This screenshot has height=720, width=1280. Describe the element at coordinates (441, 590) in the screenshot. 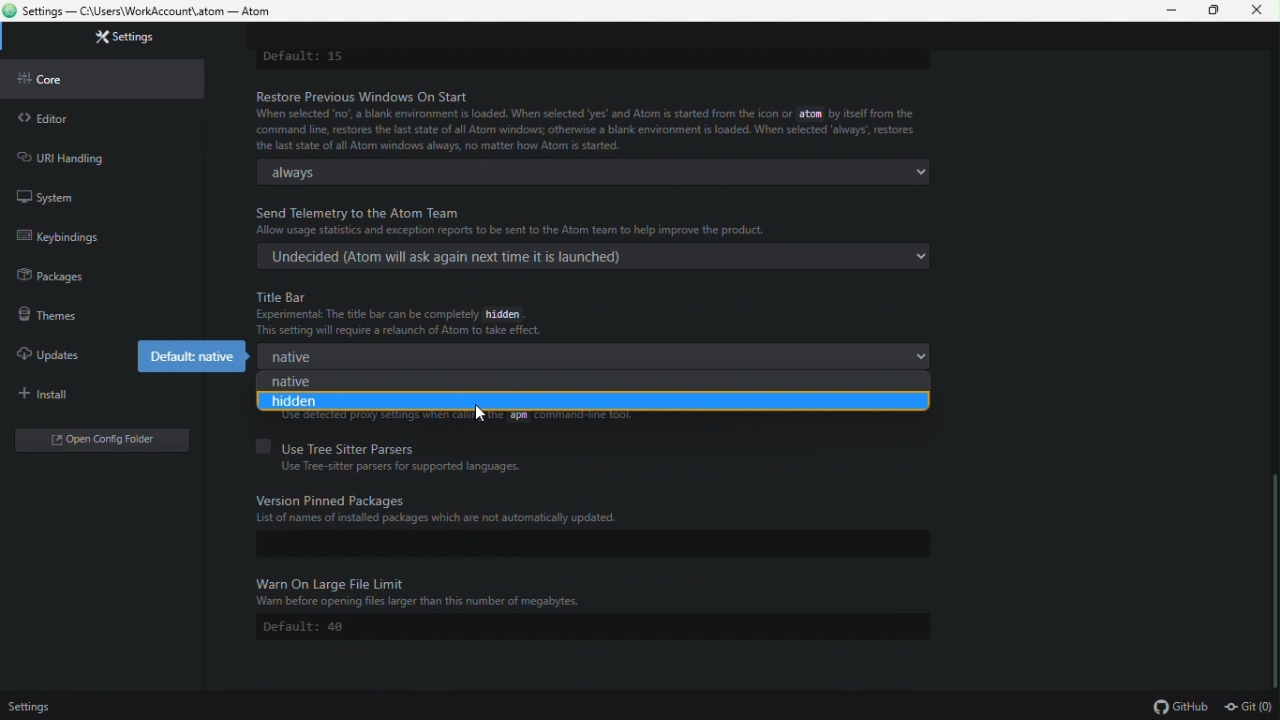

I see `‘Warn On Large File Limit Warn before opening files larger than this number of megabytes.` at that location.